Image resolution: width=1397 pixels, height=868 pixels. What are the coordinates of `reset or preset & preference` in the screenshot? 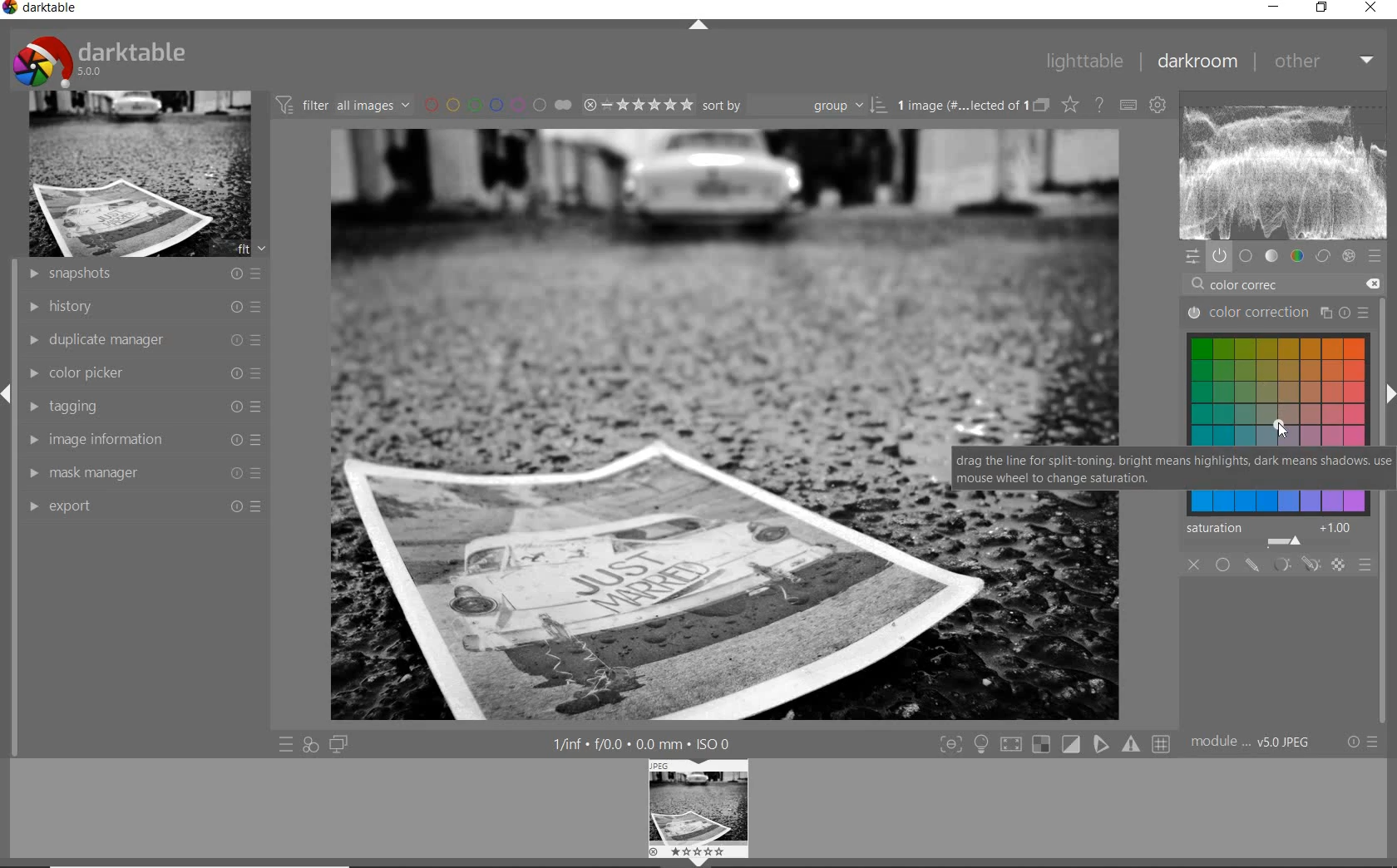 It's located at (1358, 744).